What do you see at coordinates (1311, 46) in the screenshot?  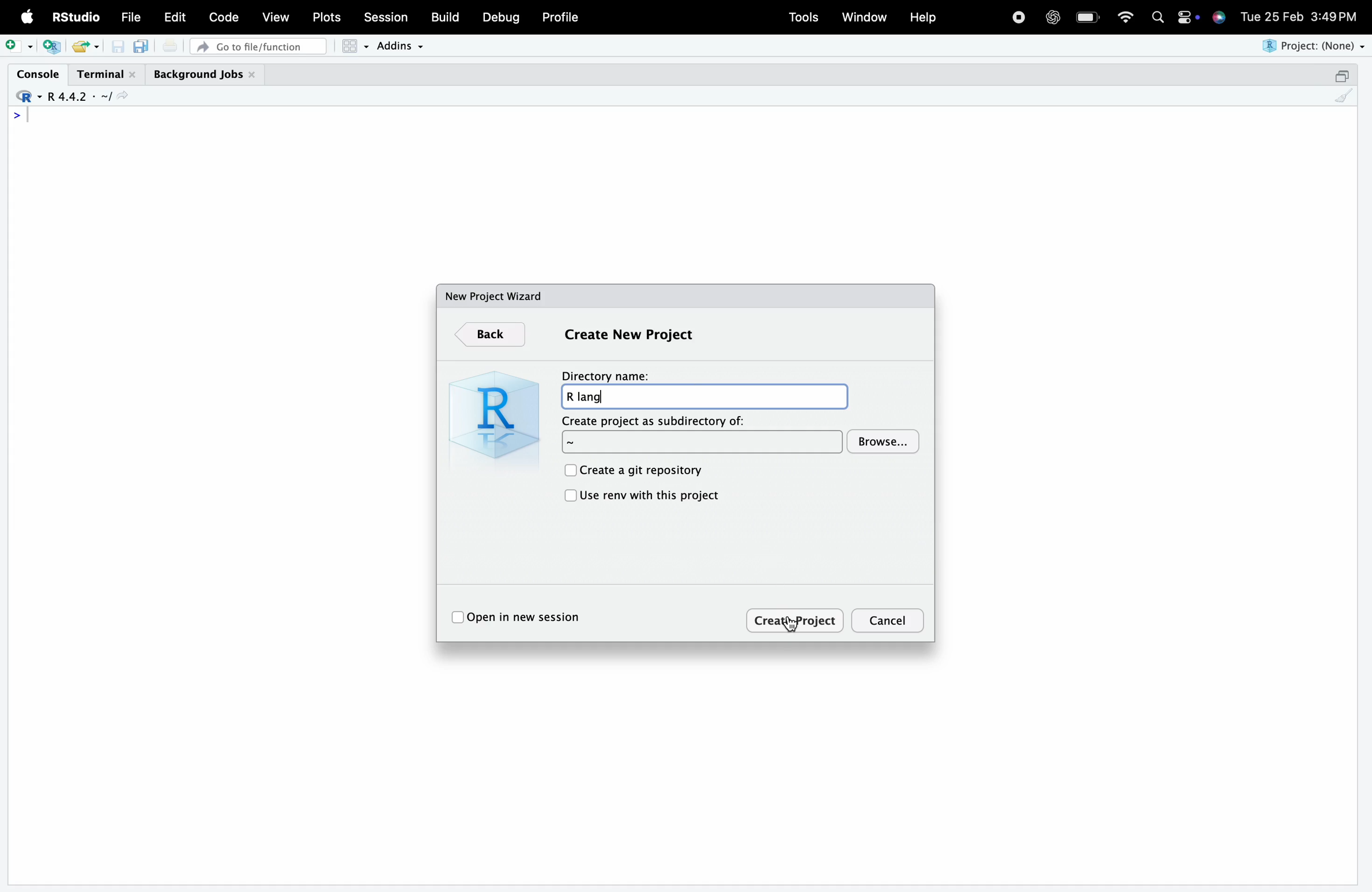 I see `Project: (None)` at bounding box center [1311, 46].